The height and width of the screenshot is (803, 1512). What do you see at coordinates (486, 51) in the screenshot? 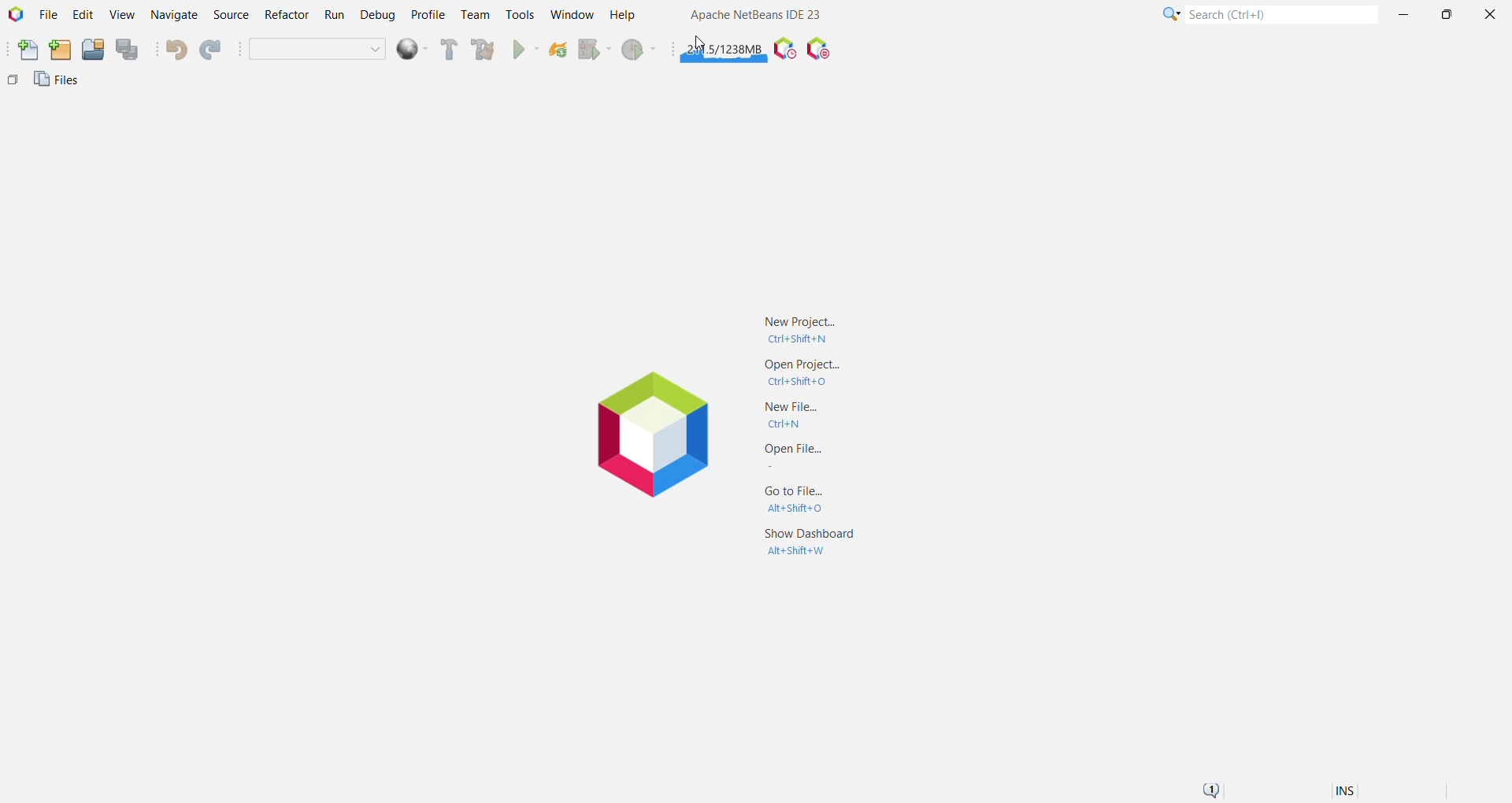
I see `Clean and Build Main Project` at bounding box center [486, 51].